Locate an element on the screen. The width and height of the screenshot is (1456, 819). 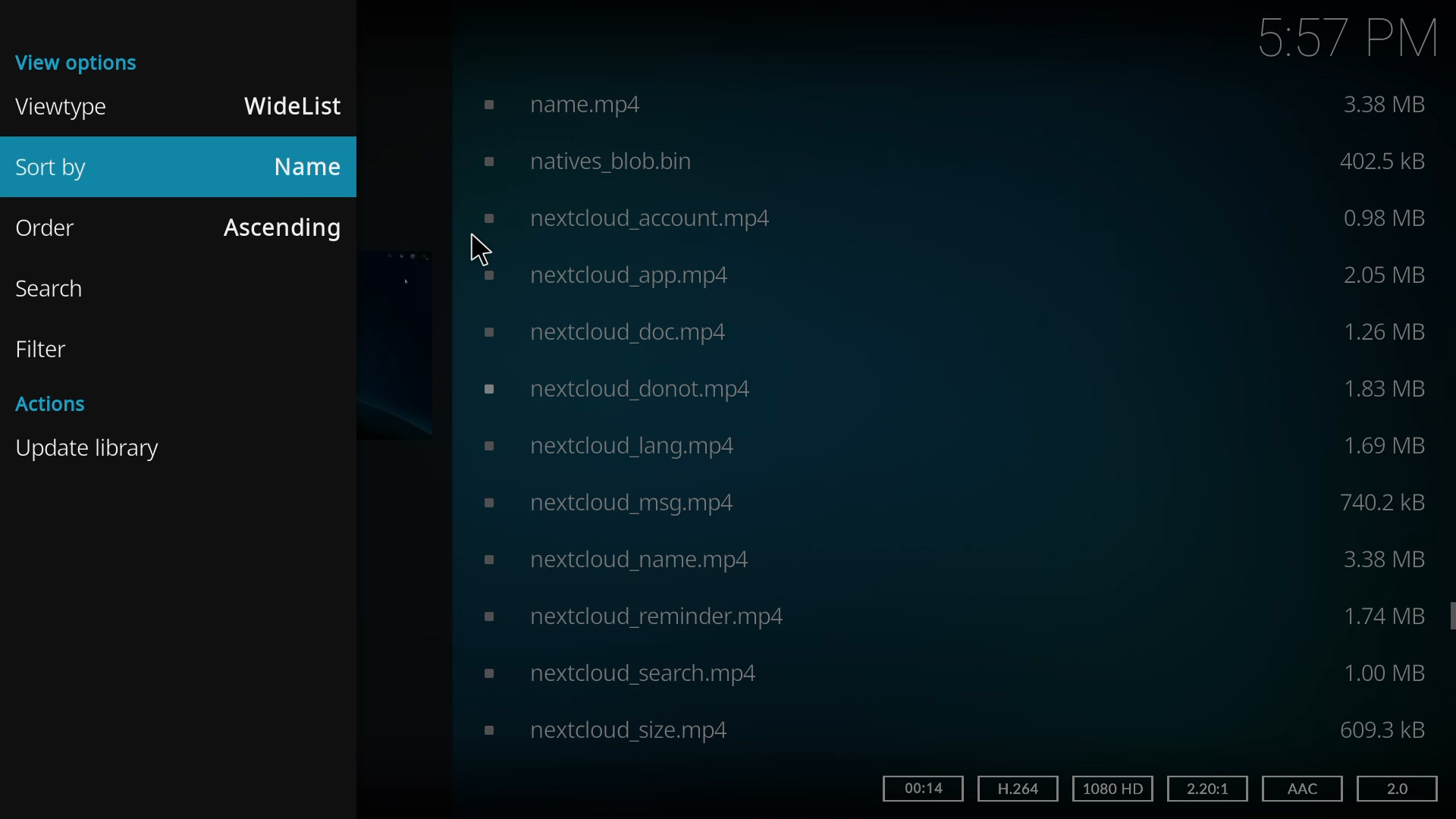
video is located at coordinates (613, 389).